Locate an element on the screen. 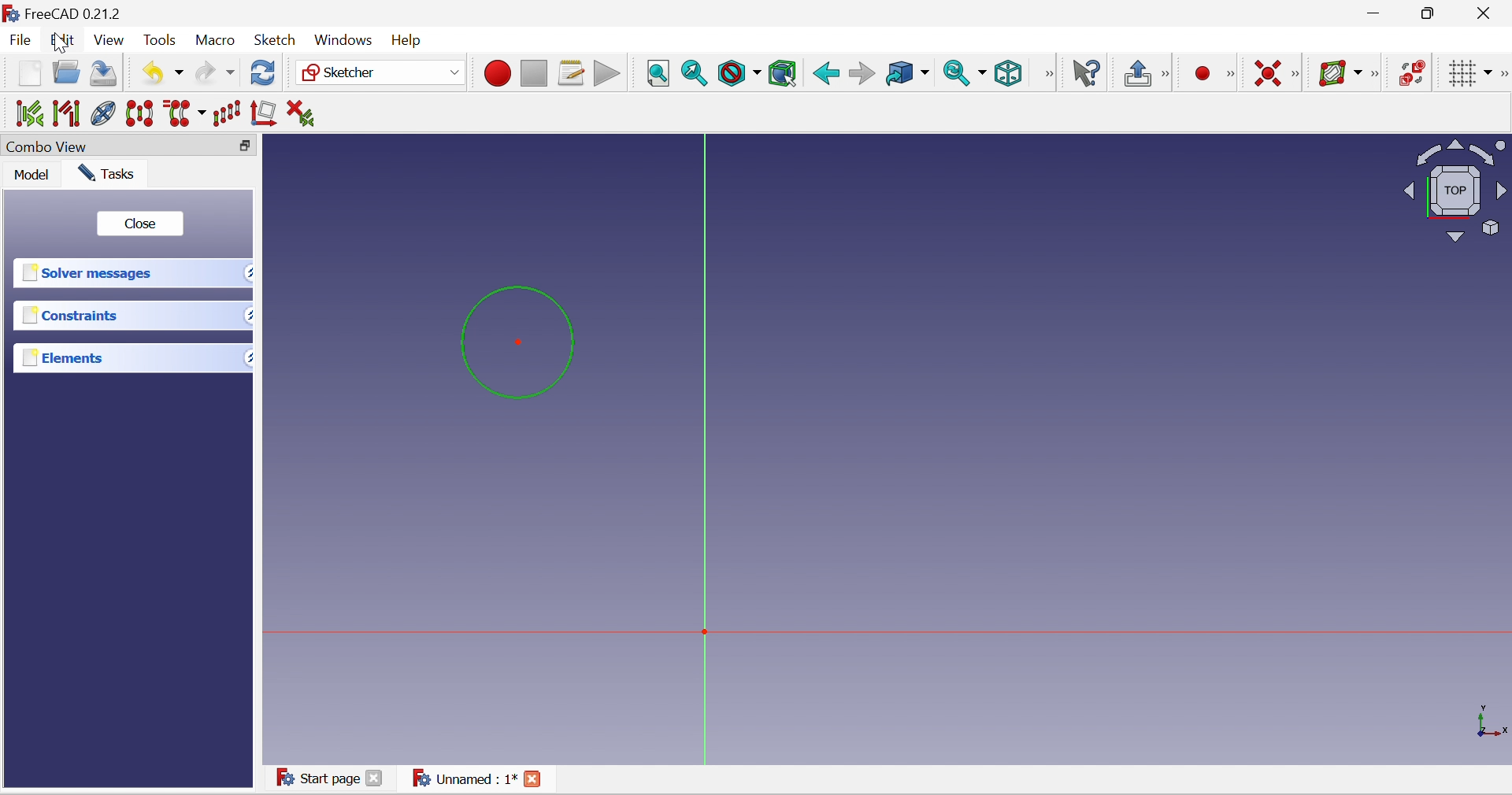  Stop macro recording is located at coordinates (532, 73).